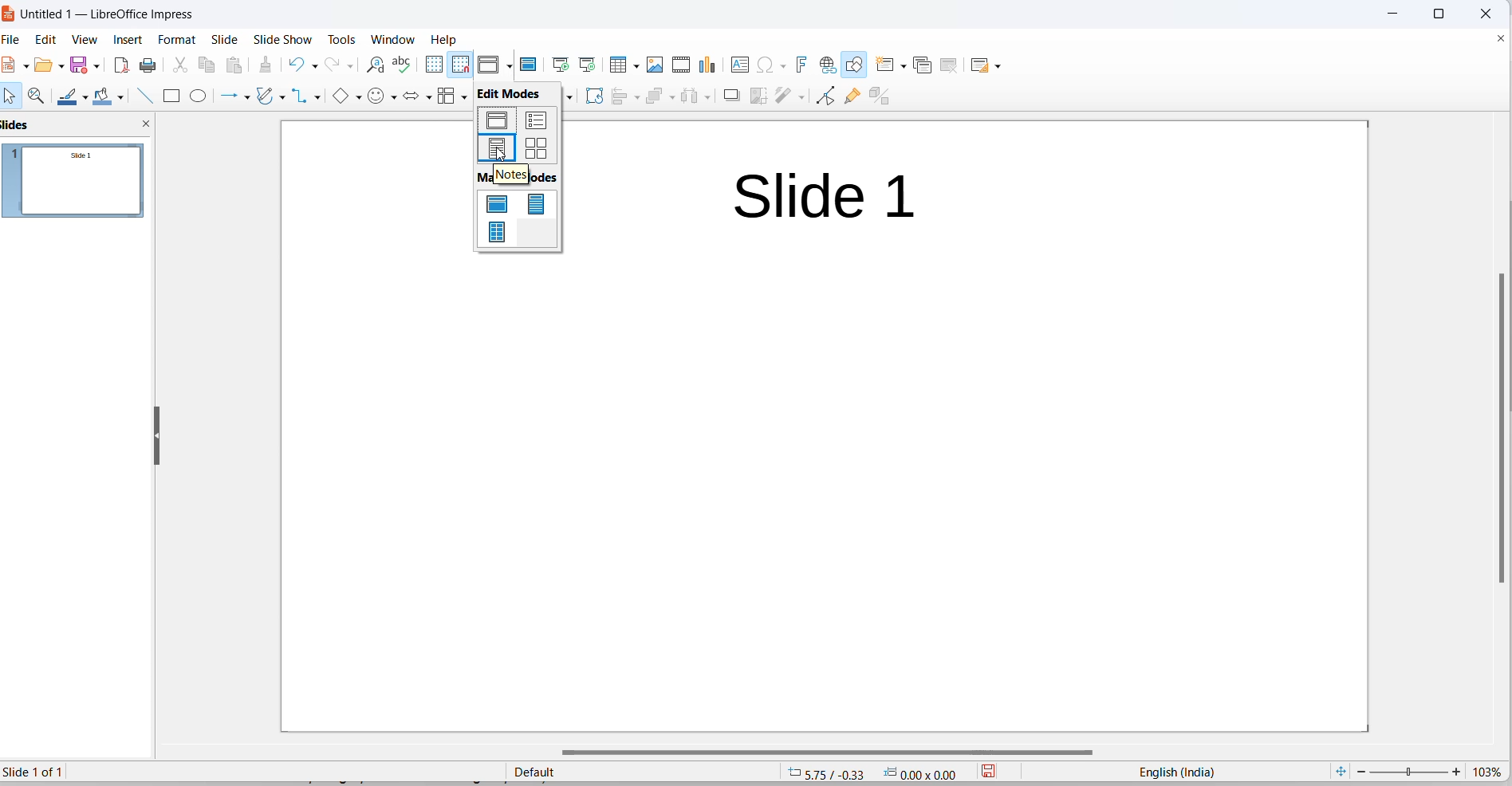 This screenshot has width=1512, height=786. I want to click on slide, so click(226, 39).